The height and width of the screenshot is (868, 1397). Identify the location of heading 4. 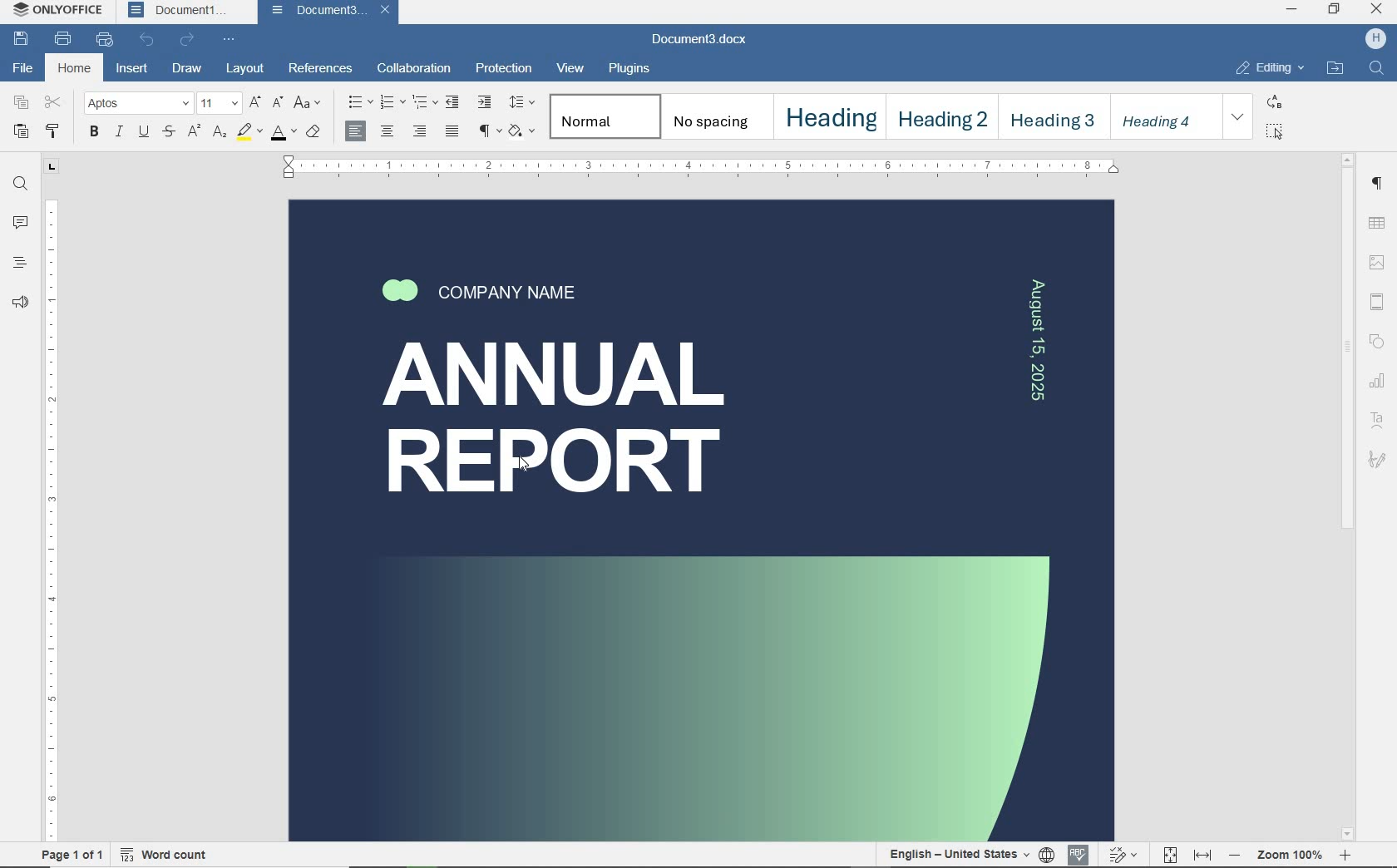
(1166, 117).